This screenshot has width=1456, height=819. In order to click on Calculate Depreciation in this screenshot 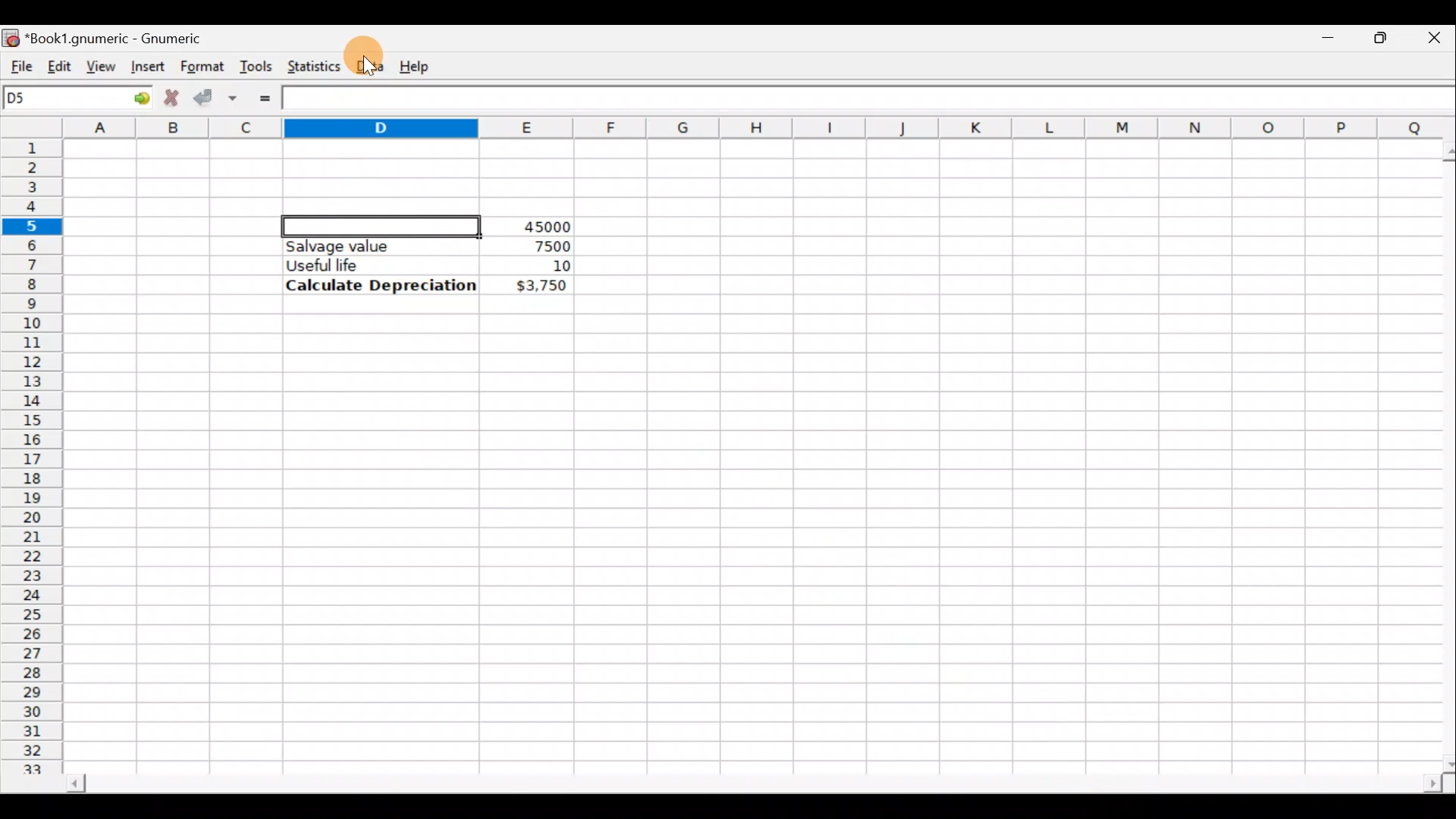, I will do `click(381, 284)`.